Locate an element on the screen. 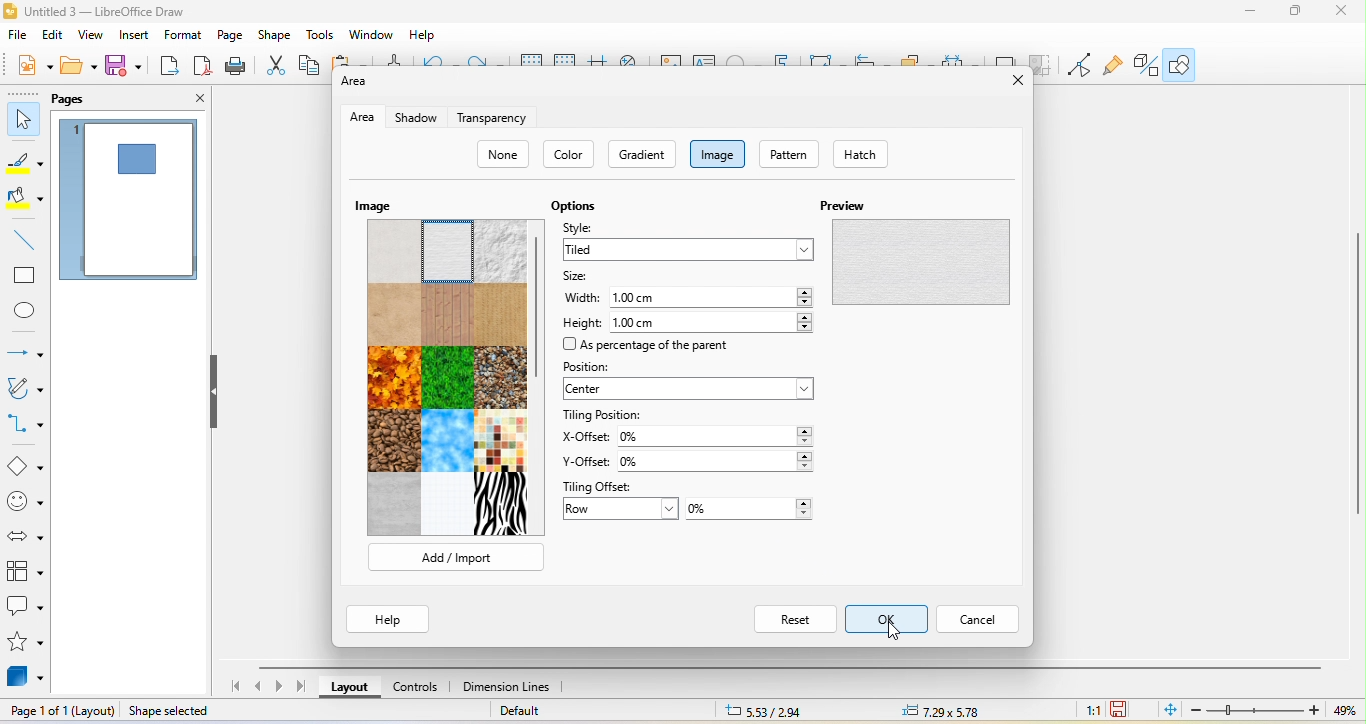 The width and height of the screenshot is (1366, 724). 1.00 cm is located at coordinates (710, 295).